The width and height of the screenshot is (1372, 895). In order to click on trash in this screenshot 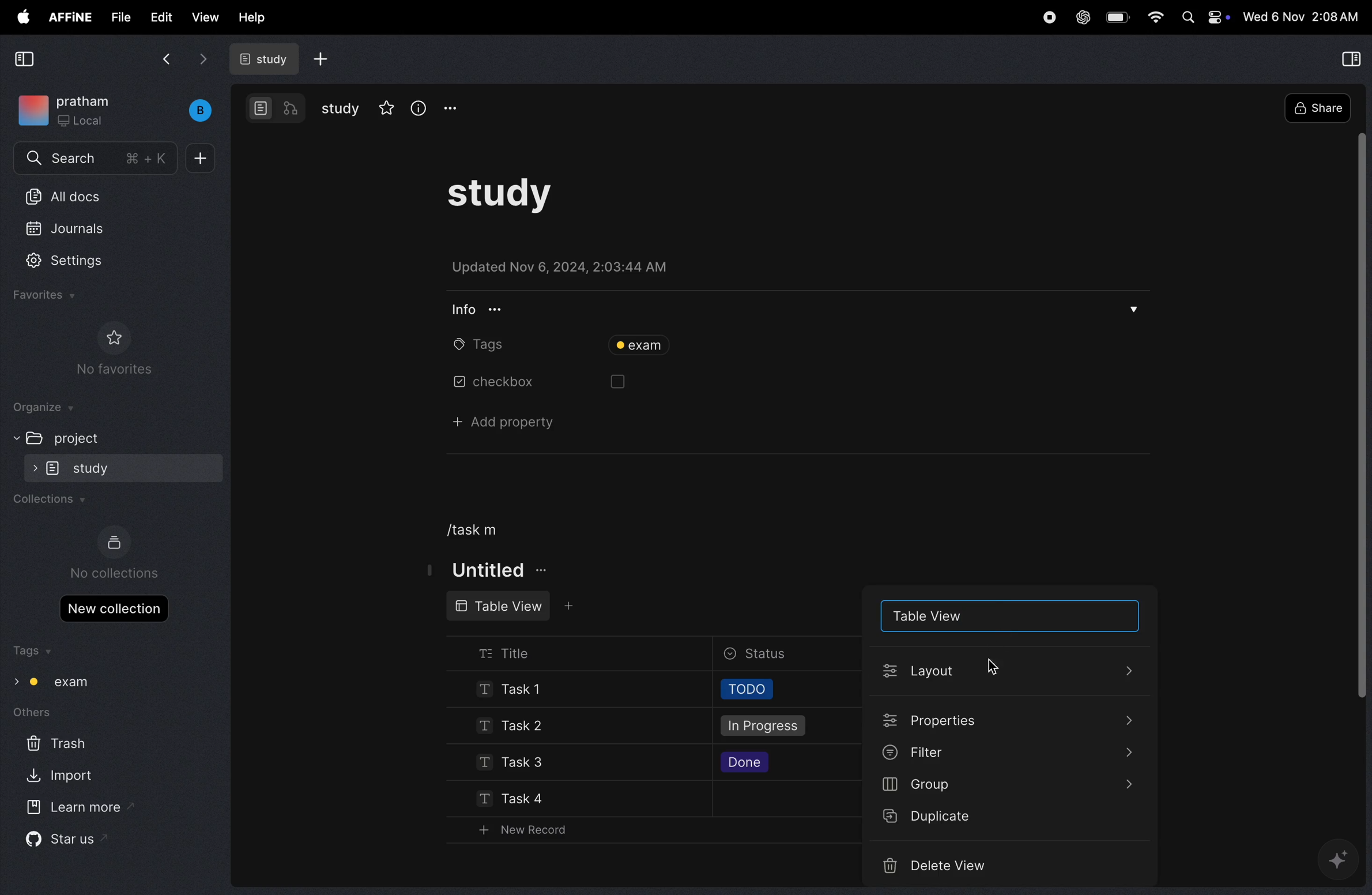, I will do `click(52, 744)`.